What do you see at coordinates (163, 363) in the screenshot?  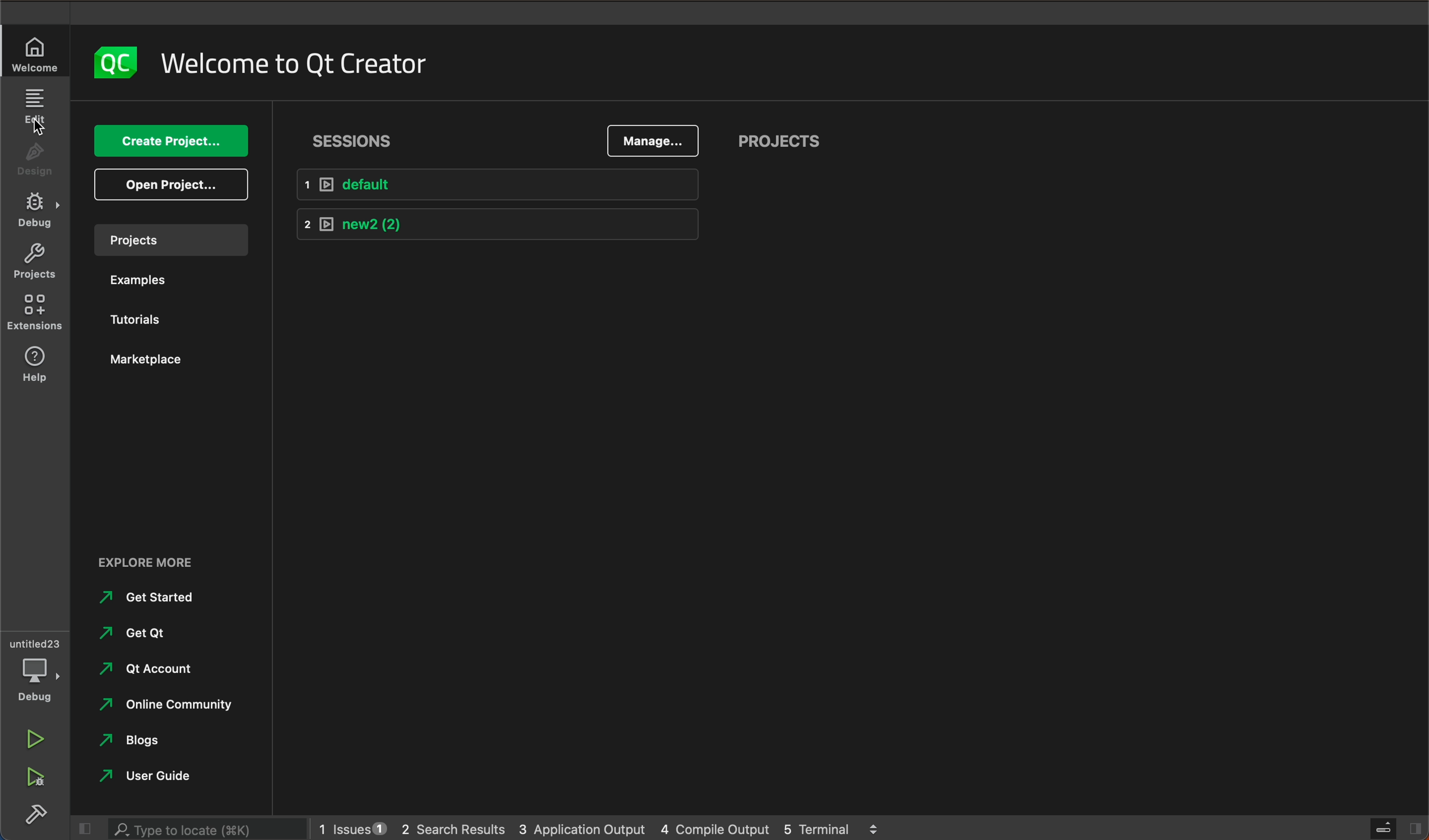 I see `marketplace` at bounding box center [163, 363].